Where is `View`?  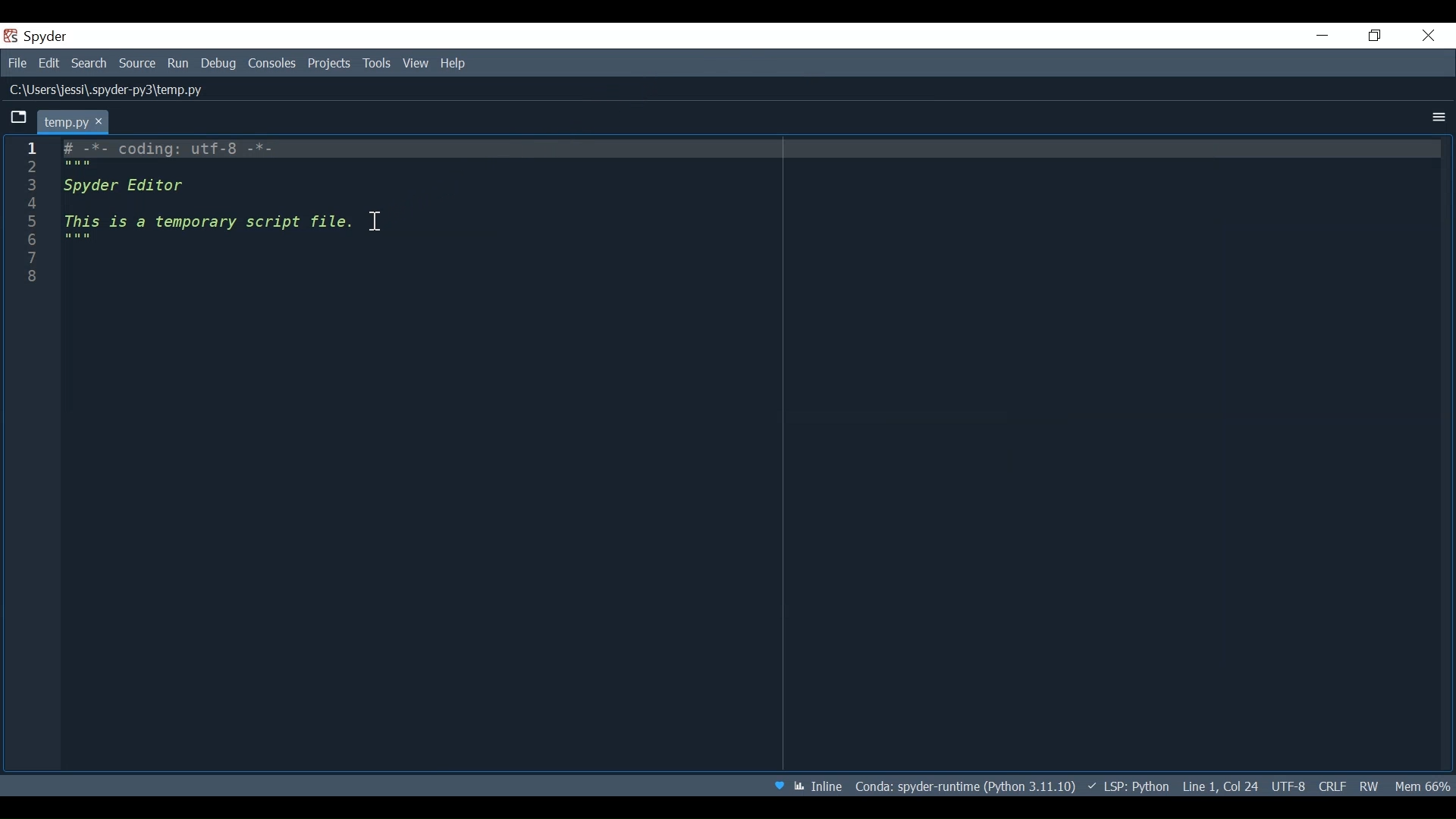 View is located at coordinates (413, 64).